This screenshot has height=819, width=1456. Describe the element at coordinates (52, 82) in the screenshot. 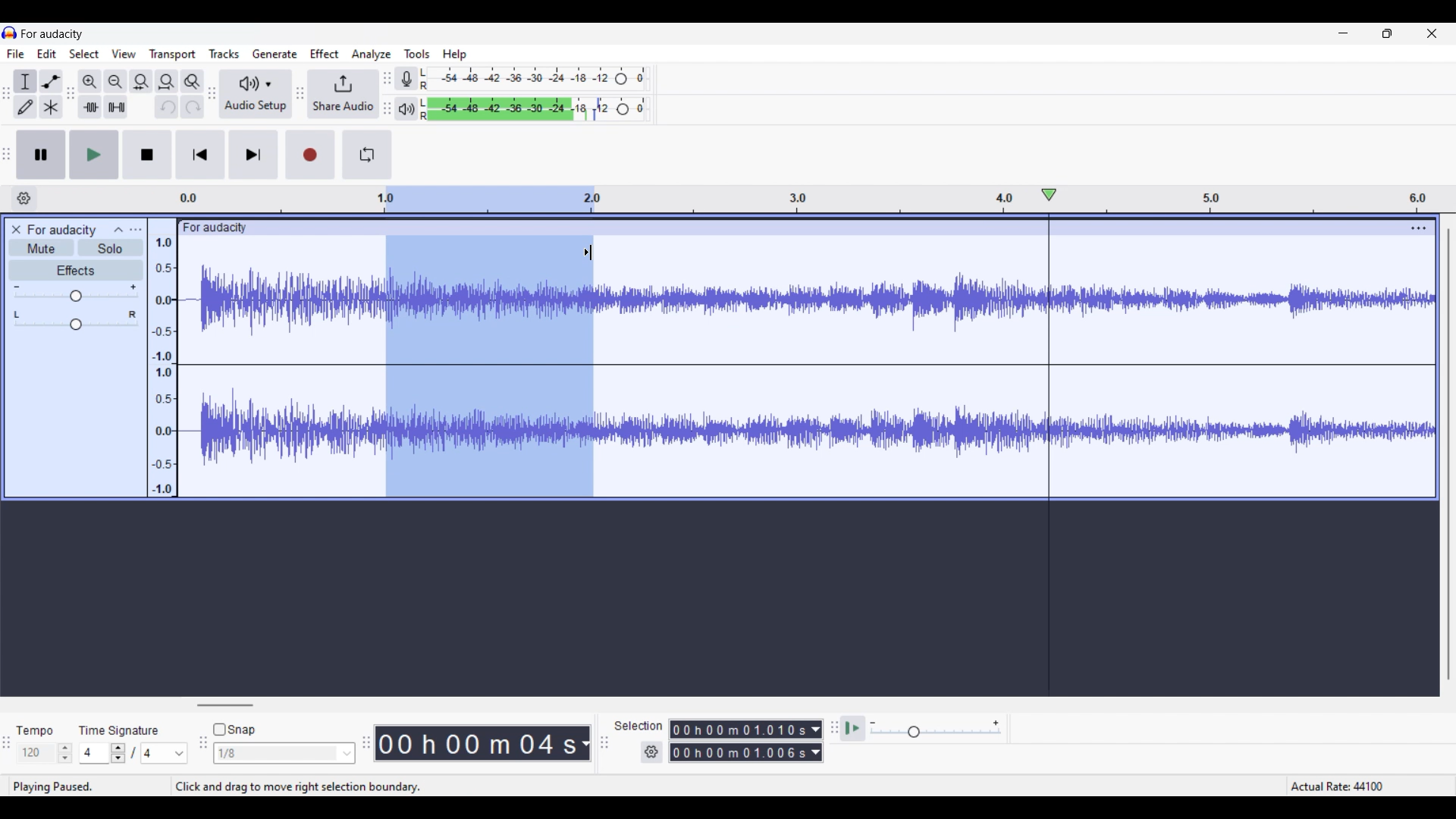

I see `Envelop tool` at that location.